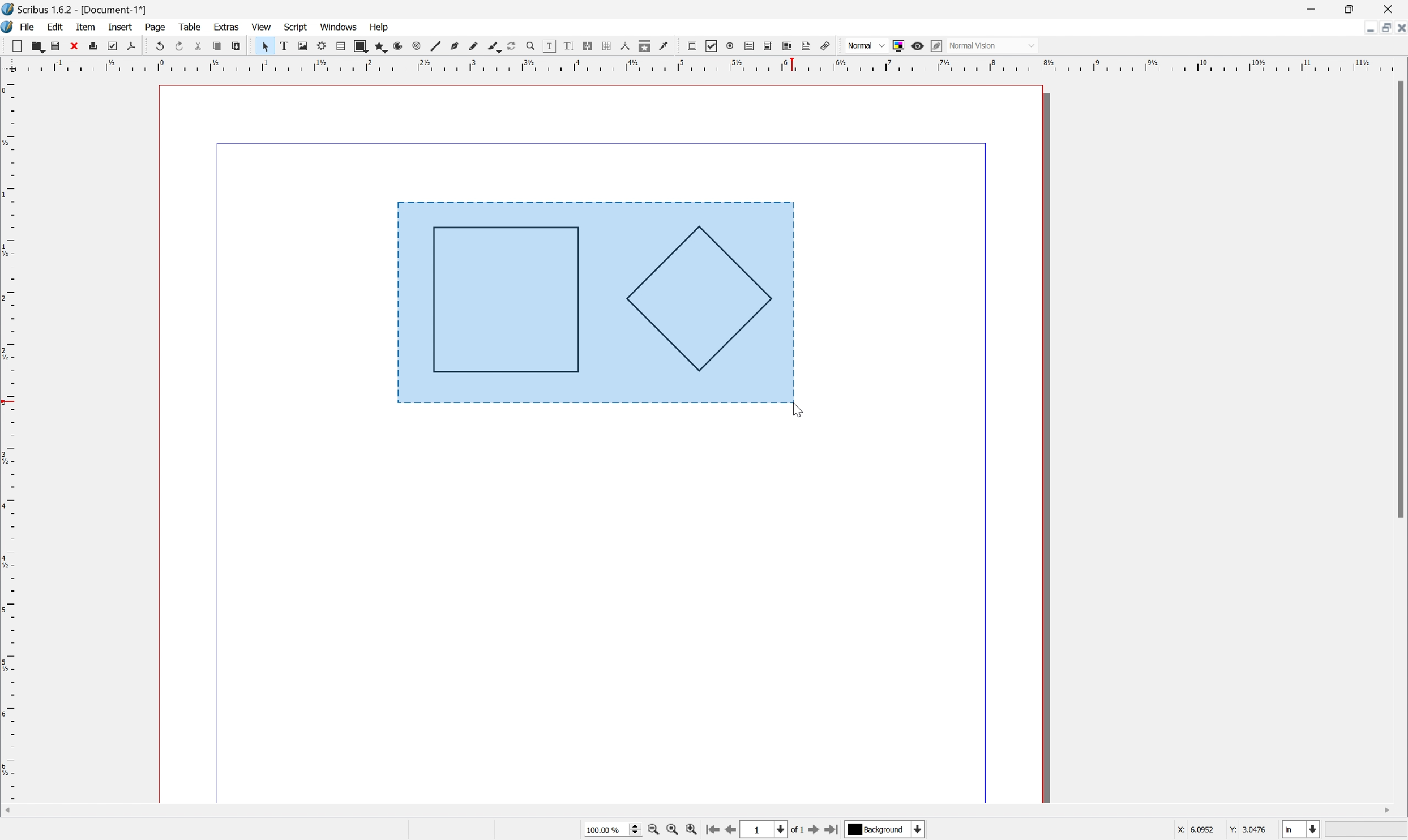 This screenshot has height=840, width=1408. Describe the element at coordinates (319, 45) in the screenshot. I see `render frame` at that location.